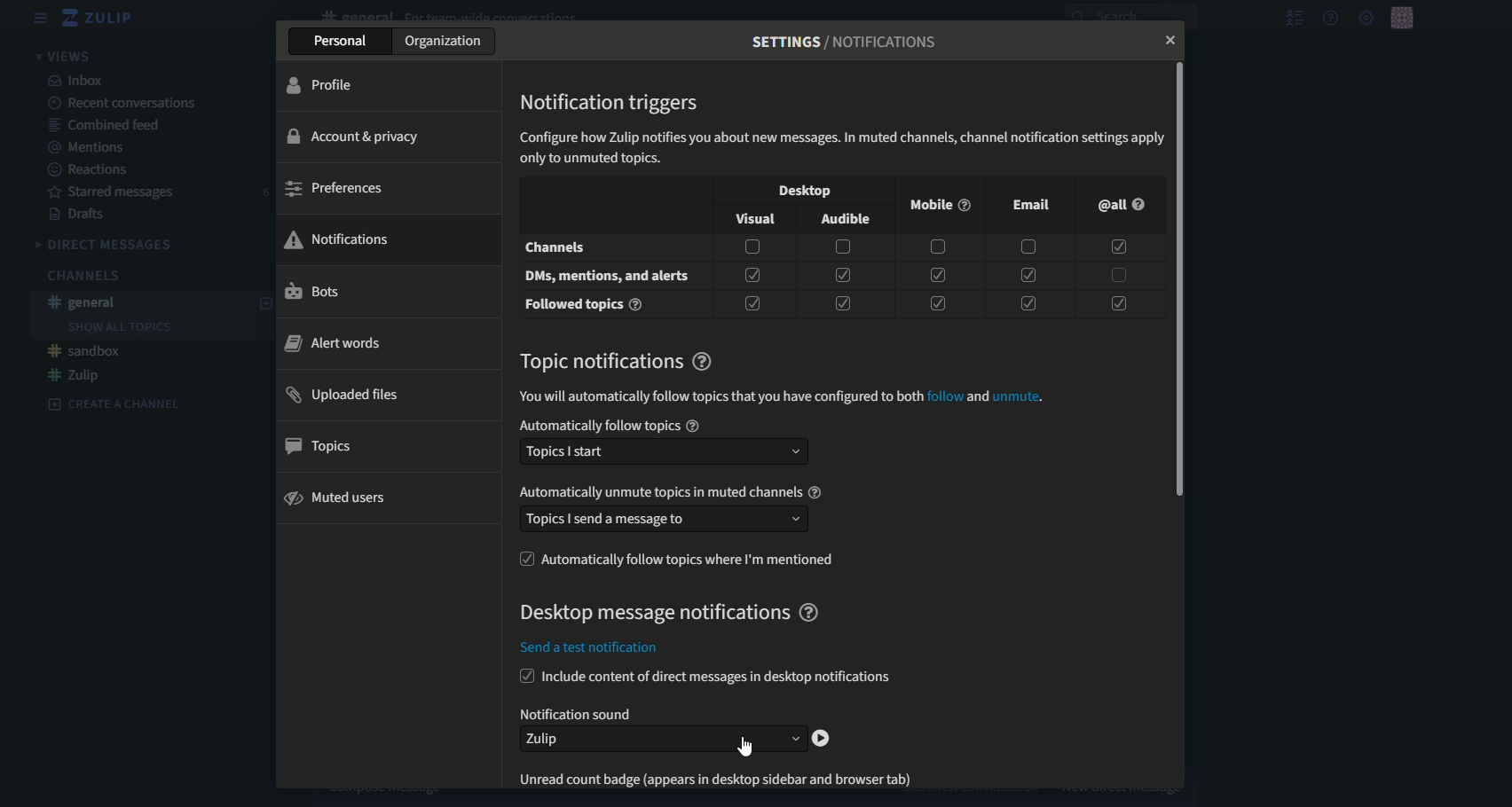  I want to click on text, so click(586, 305).